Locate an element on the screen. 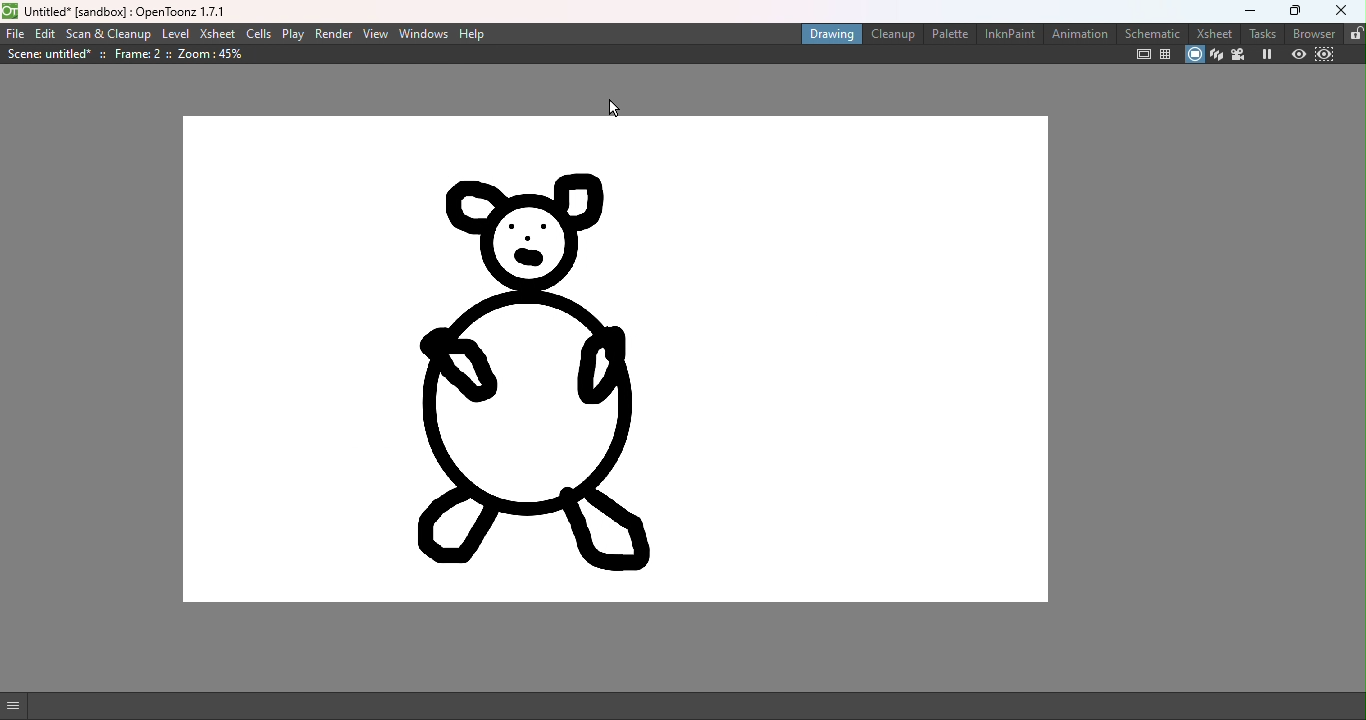 Image resolution: width=1366 pixels, height=720 pixels. Camera stand view is located at coordinates (1193, 55).